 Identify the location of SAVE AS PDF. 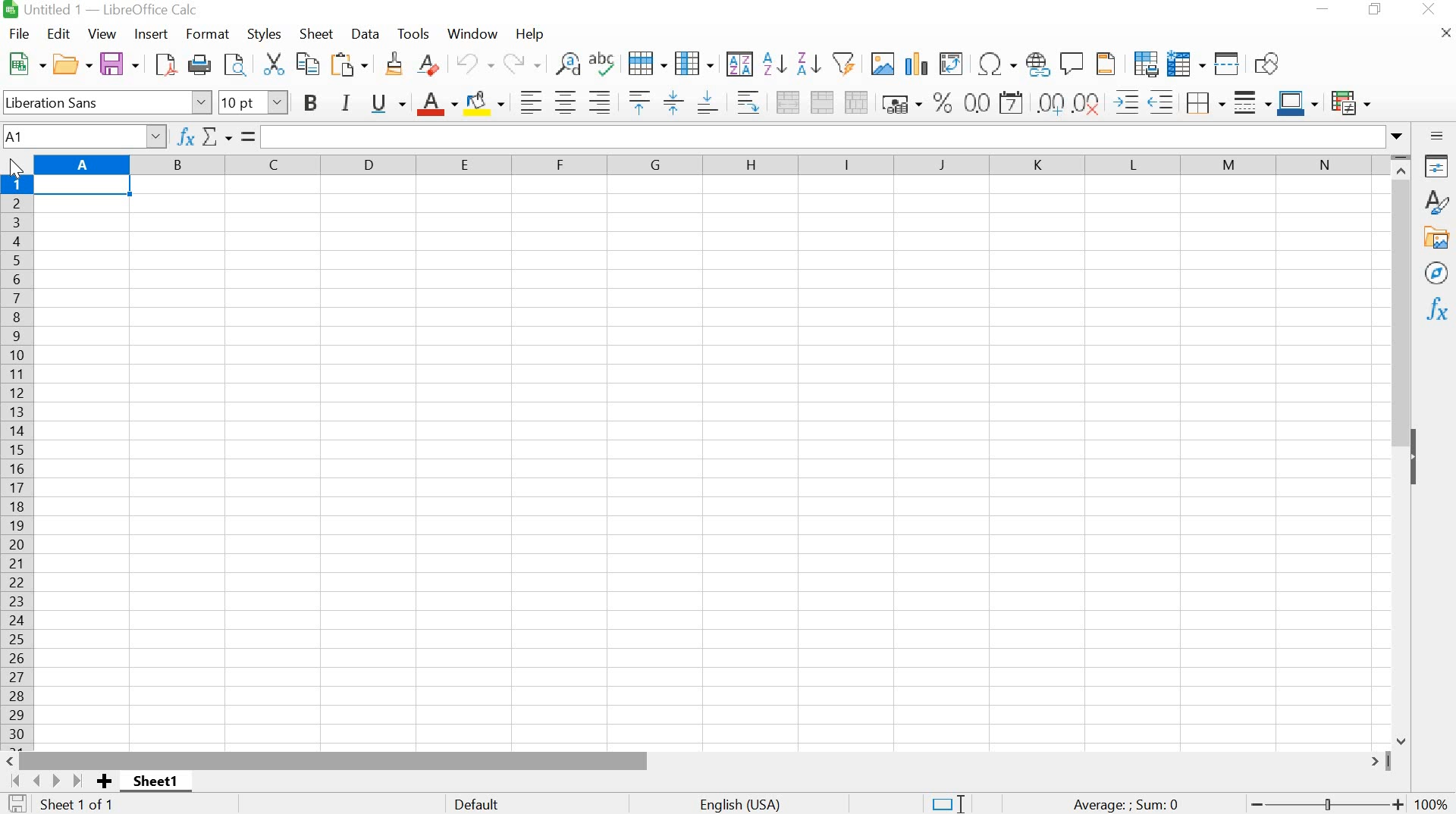
(163, 66).